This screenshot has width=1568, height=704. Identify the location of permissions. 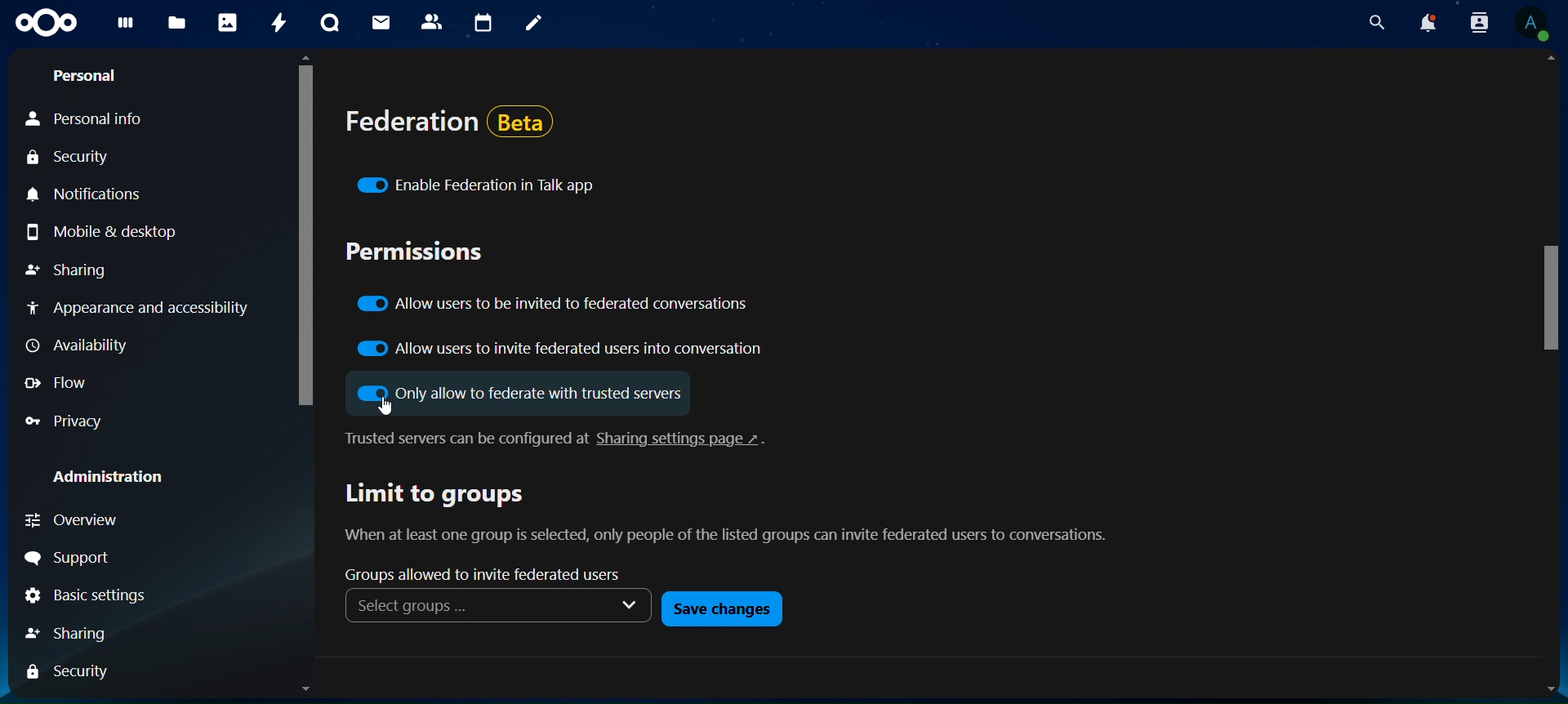
(416, 252).